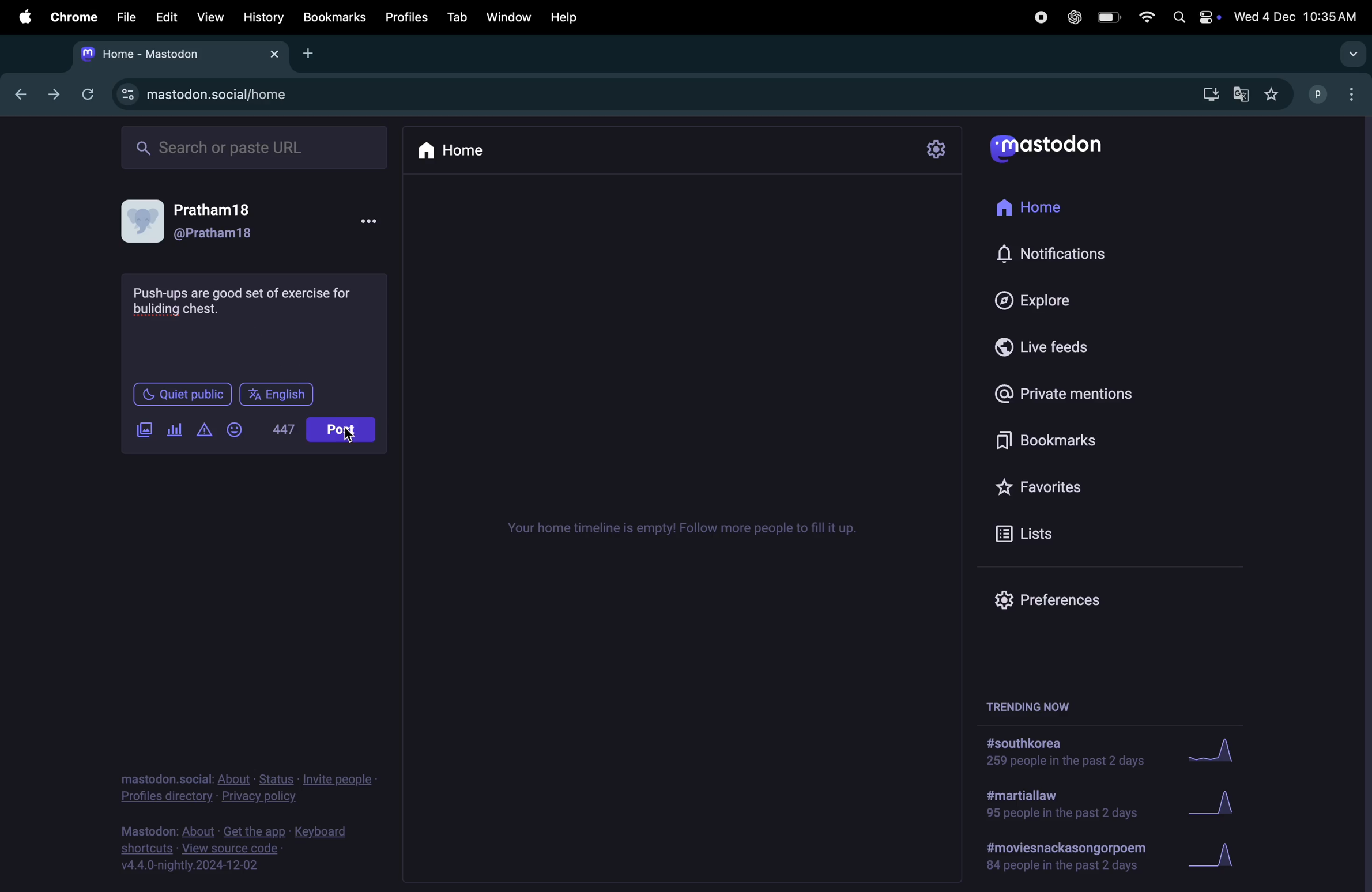 The height and width of the screenshot is (892, 1372). I want to click on Mastodon tab, so click(177, 54).